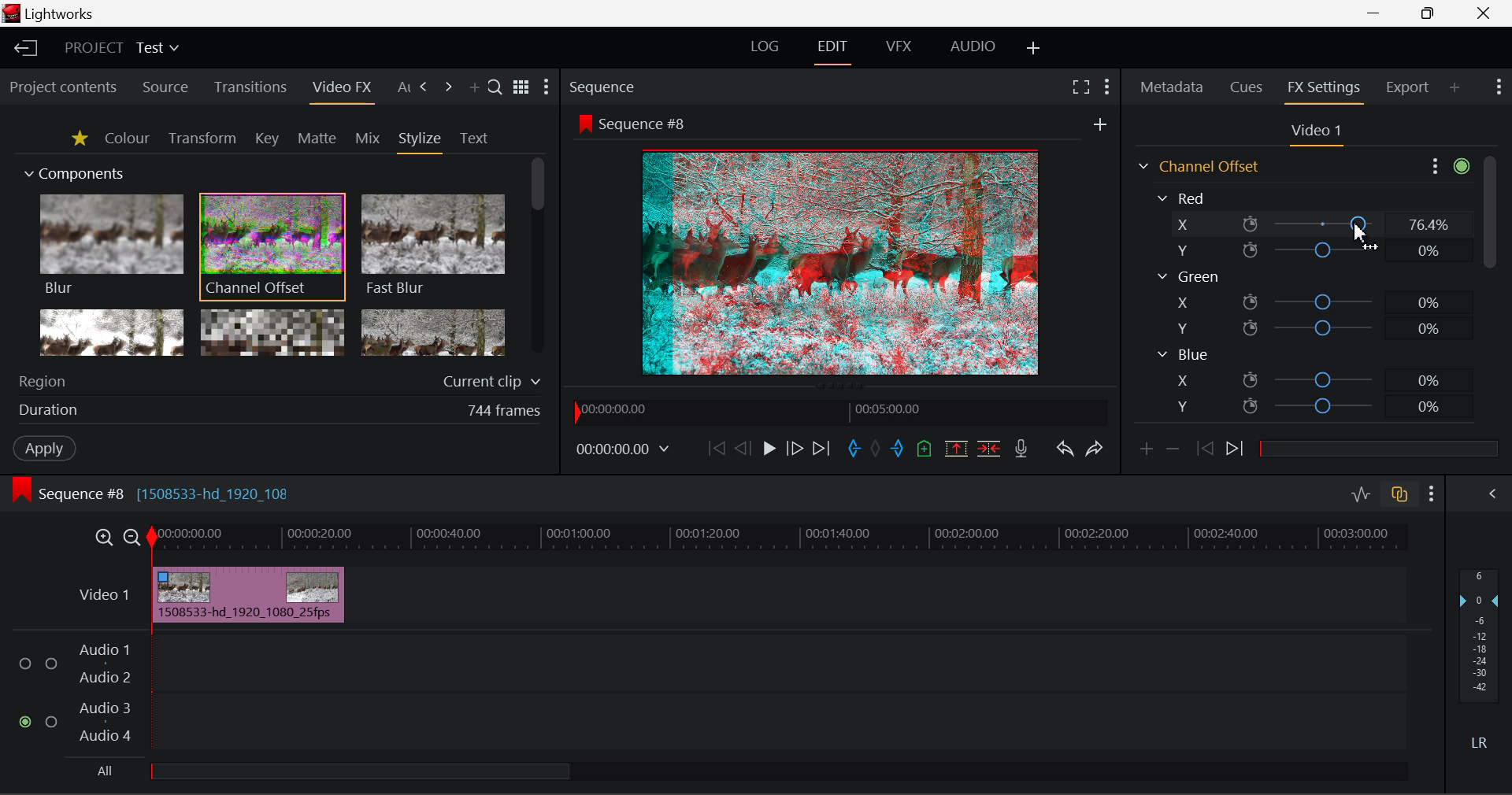 The width and height of the screenshot is (1512, 795). I want to click on Cues, so click(1246, 87).